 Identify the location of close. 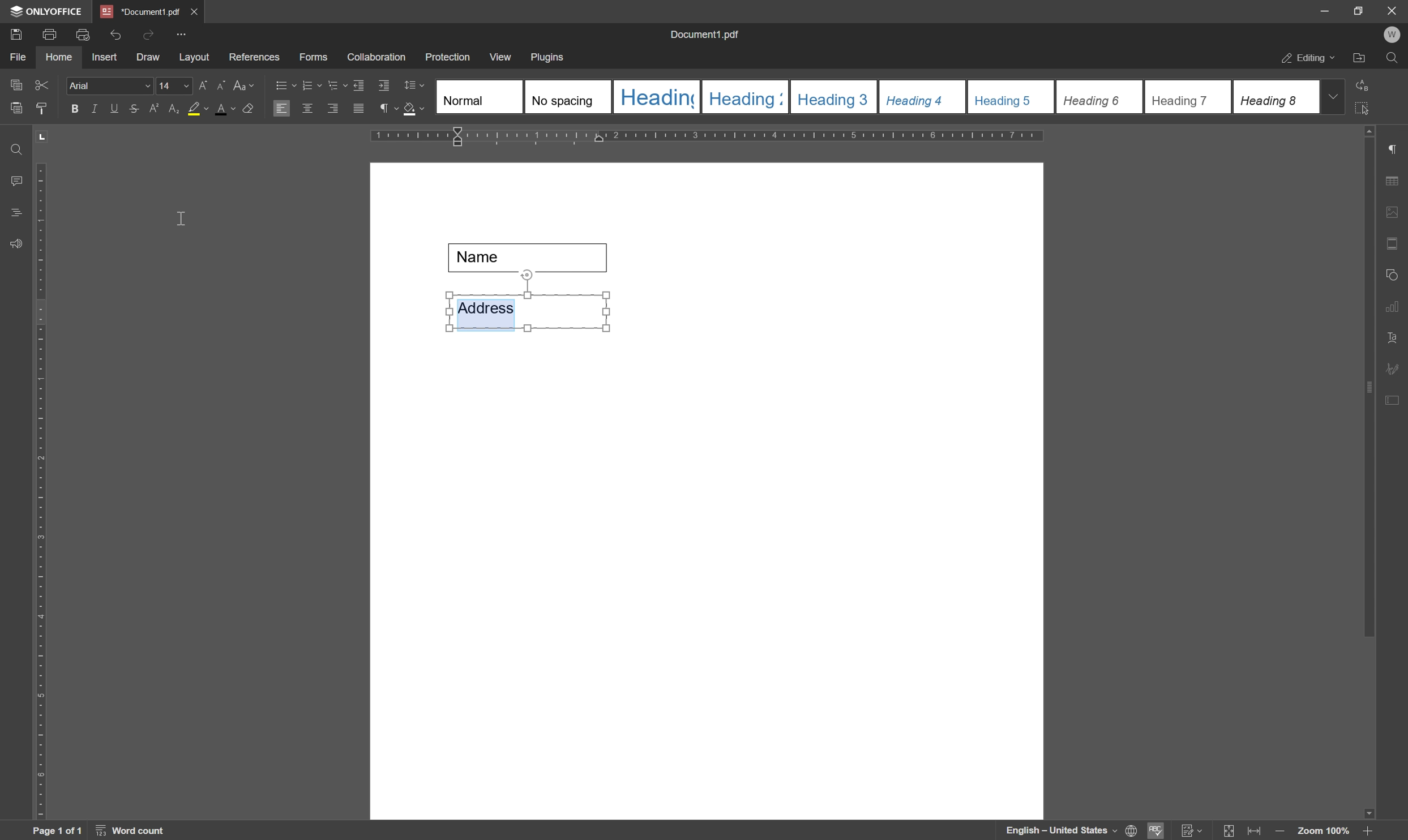
(195, 10).